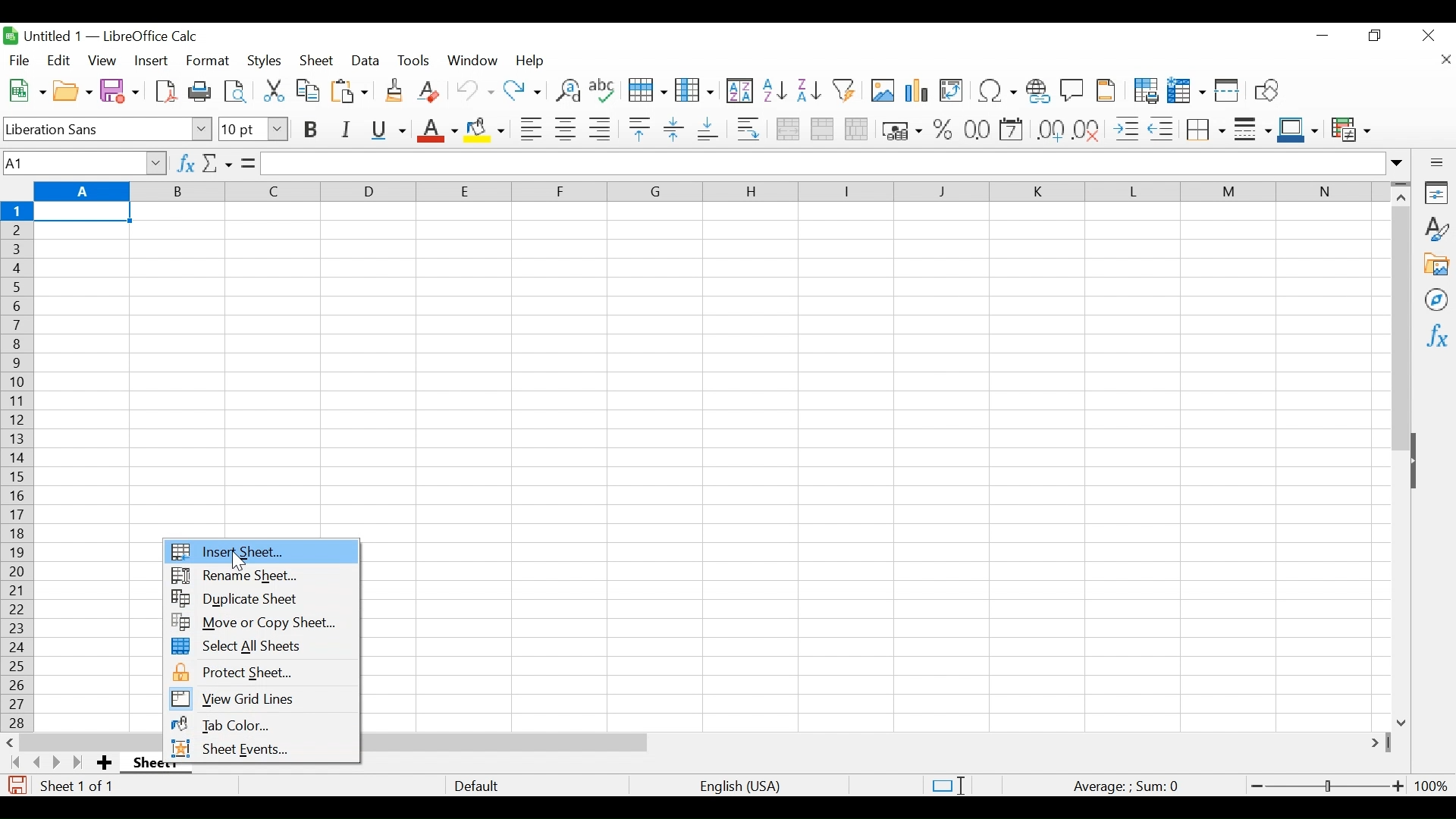 The height and width of the screenshot is (819, 1456). What do you see at coordinates (263, 700) in the screenshot?
I see `View Grid lines` at bounding box center [263, 700].